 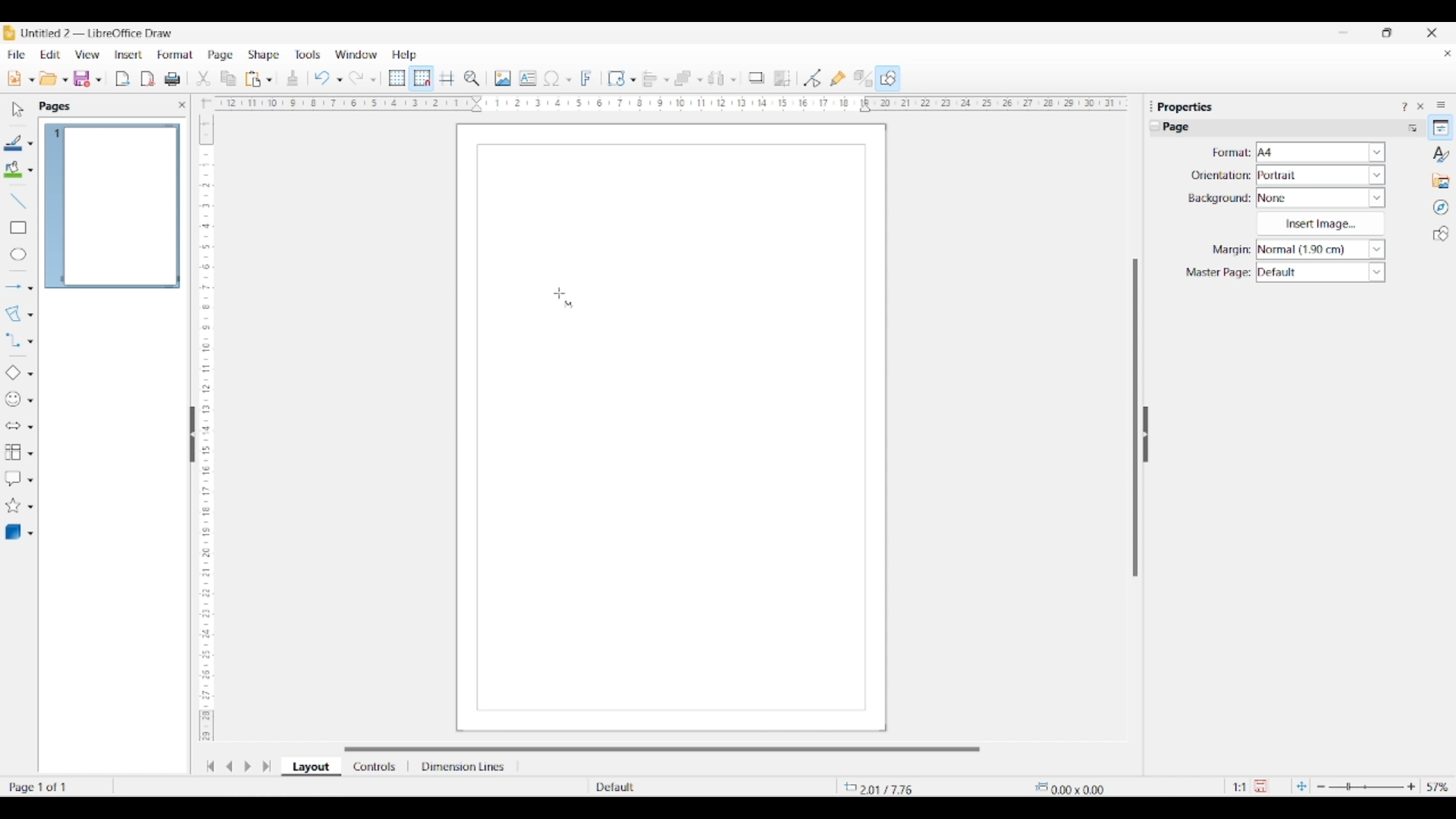 I want to click on Scaling factor of the document, so click(x=1240, y=787).